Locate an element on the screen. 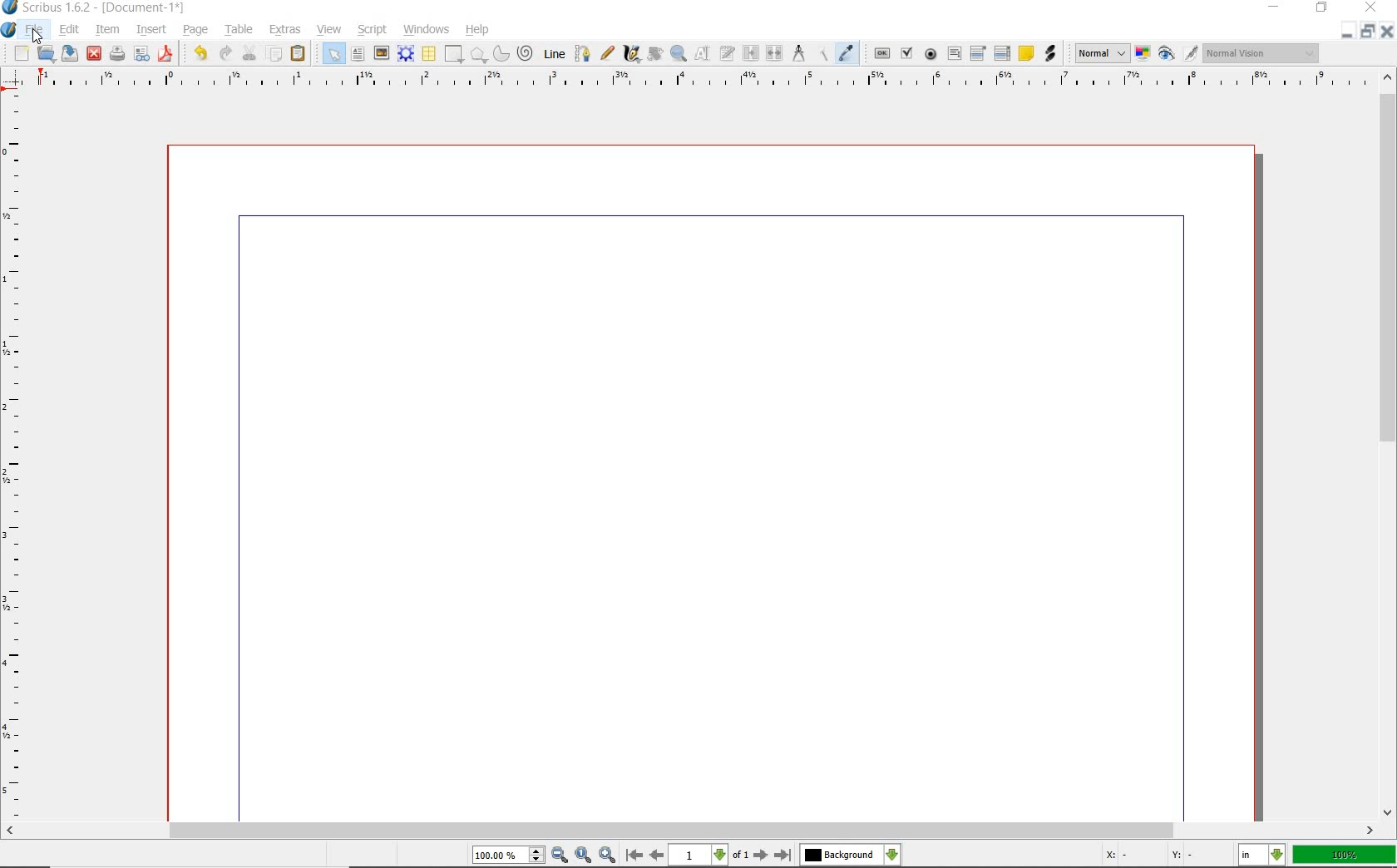 This screenshot has width=1397, height=868. move to next or previous page is located at coordinates (708, 856).